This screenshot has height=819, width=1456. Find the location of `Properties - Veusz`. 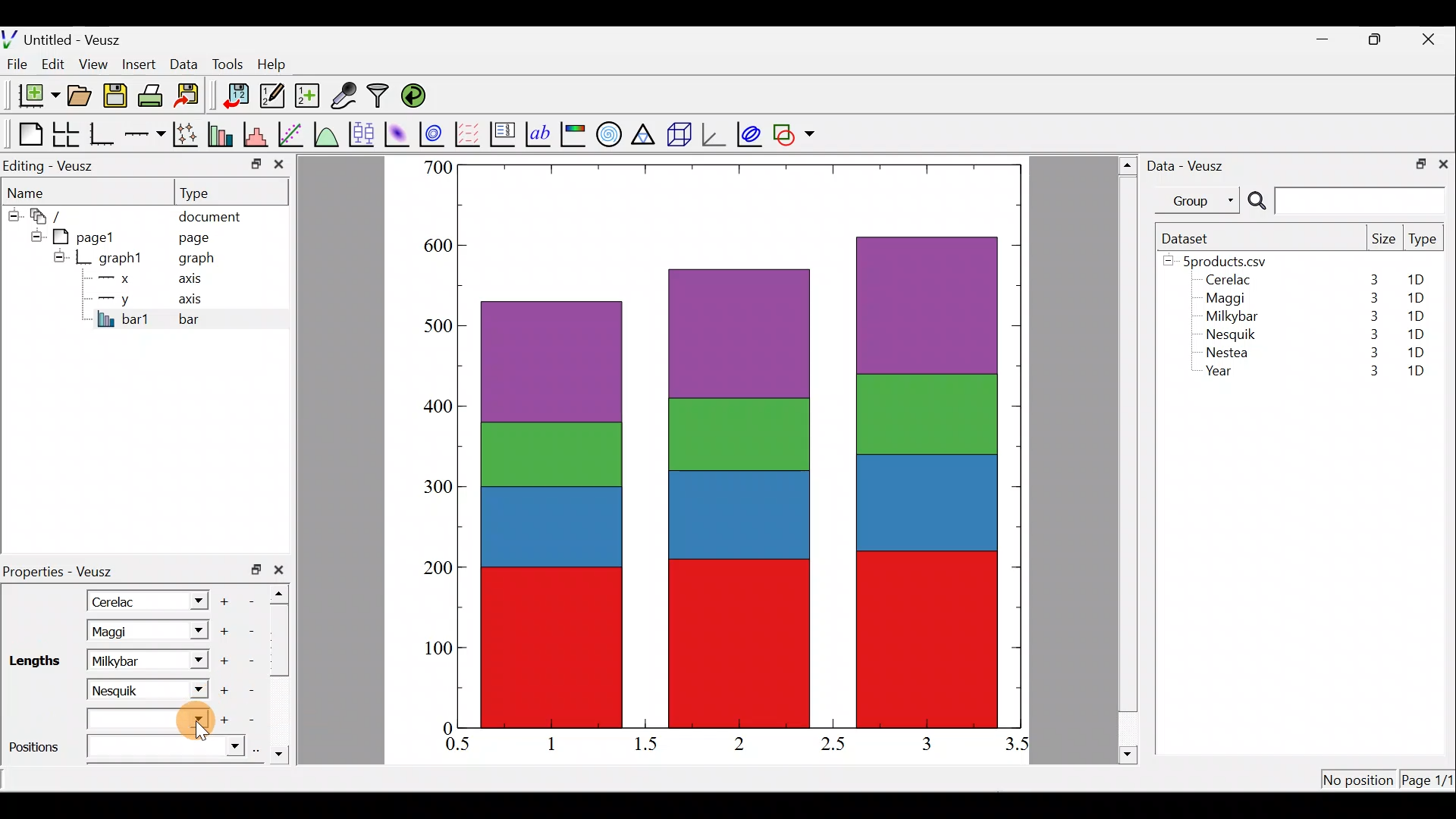

Properties - Veusz is located at coordinates (64, 572).